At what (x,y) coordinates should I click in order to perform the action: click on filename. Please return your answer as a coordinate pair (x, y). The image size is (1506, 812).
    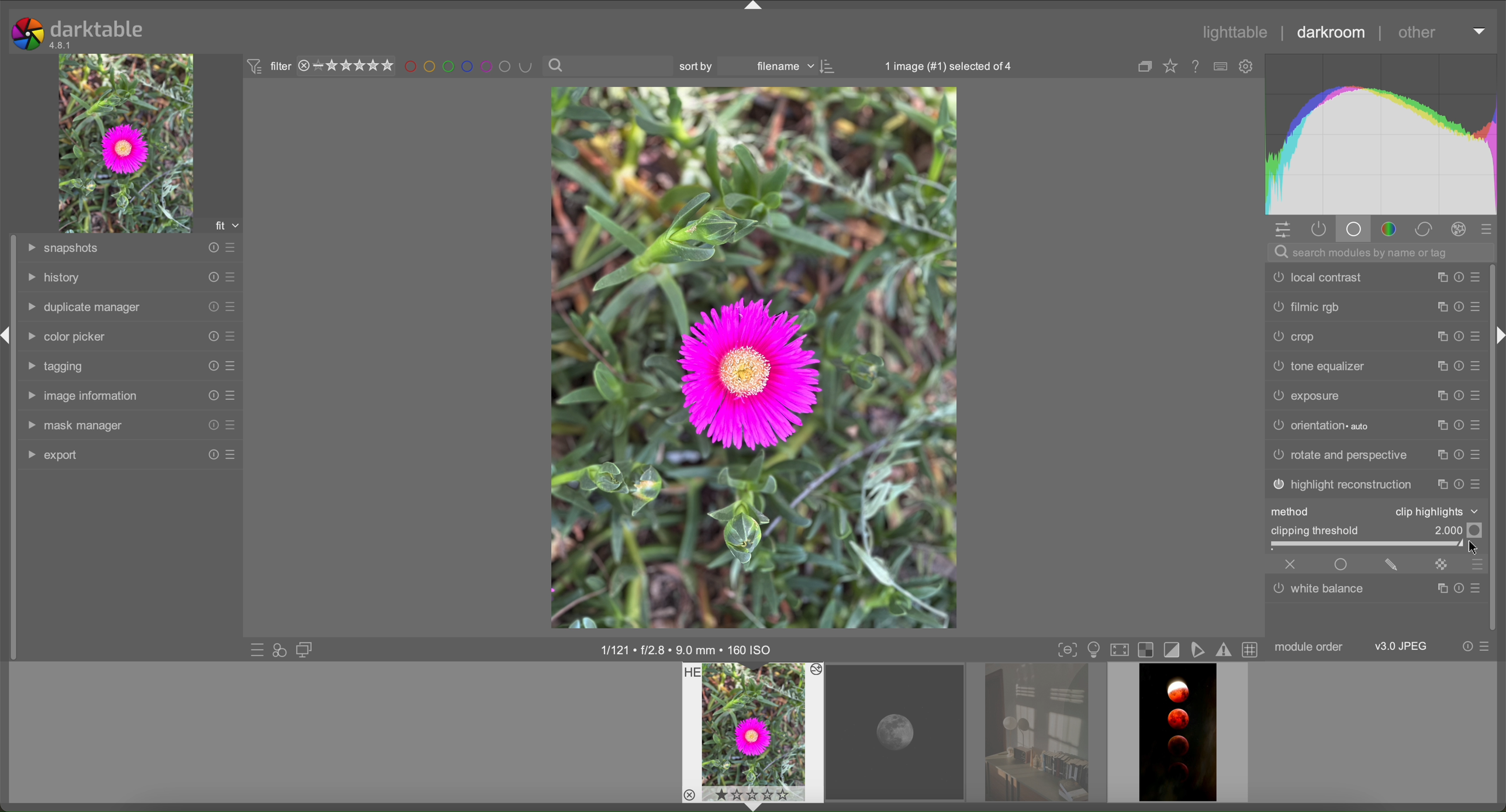
    Looking at the image, I should click on (783, 67).